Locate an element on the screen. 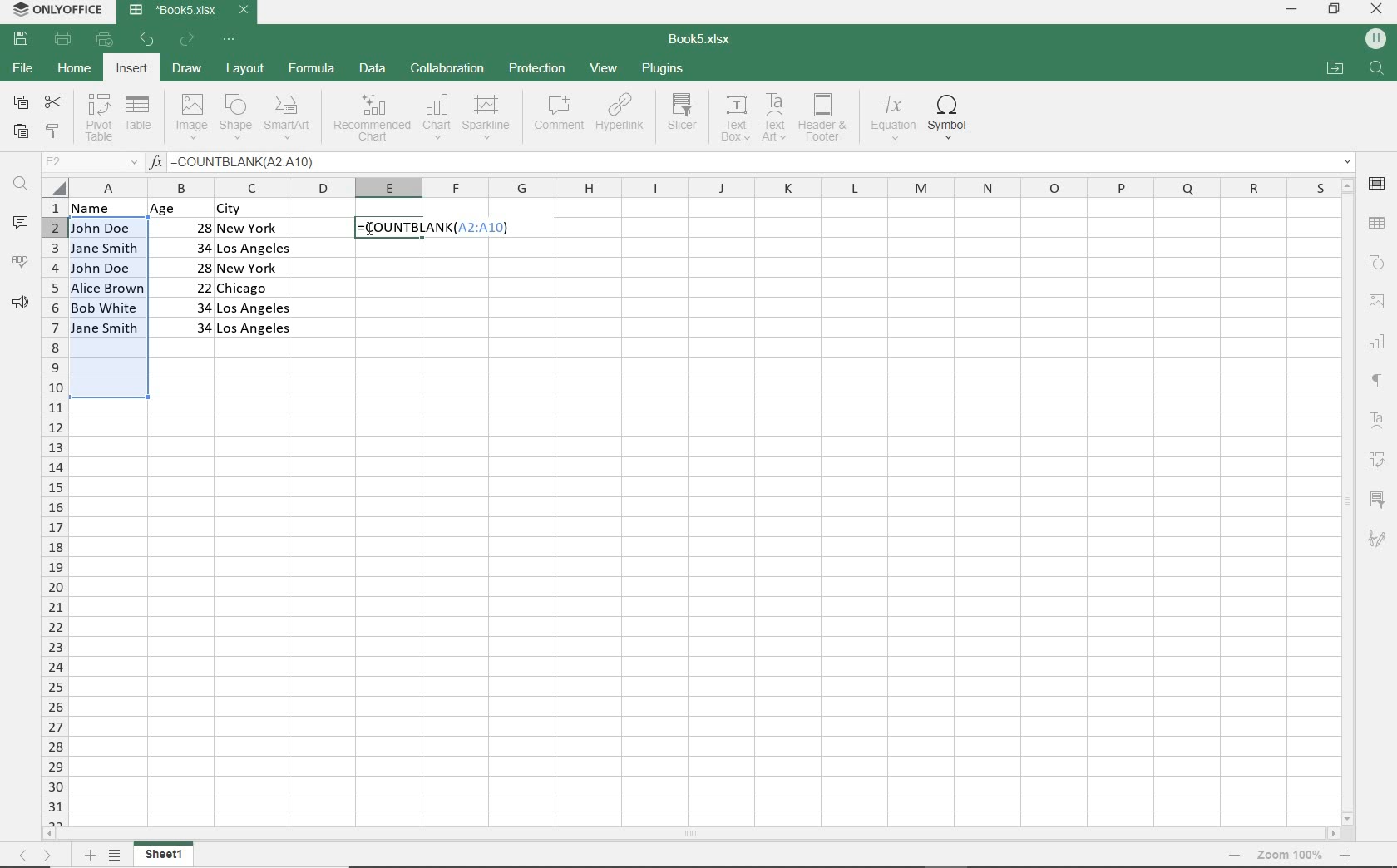 This screenshot has width=1397, height=868. TEXT BOX is located at coordinates (733, 121).